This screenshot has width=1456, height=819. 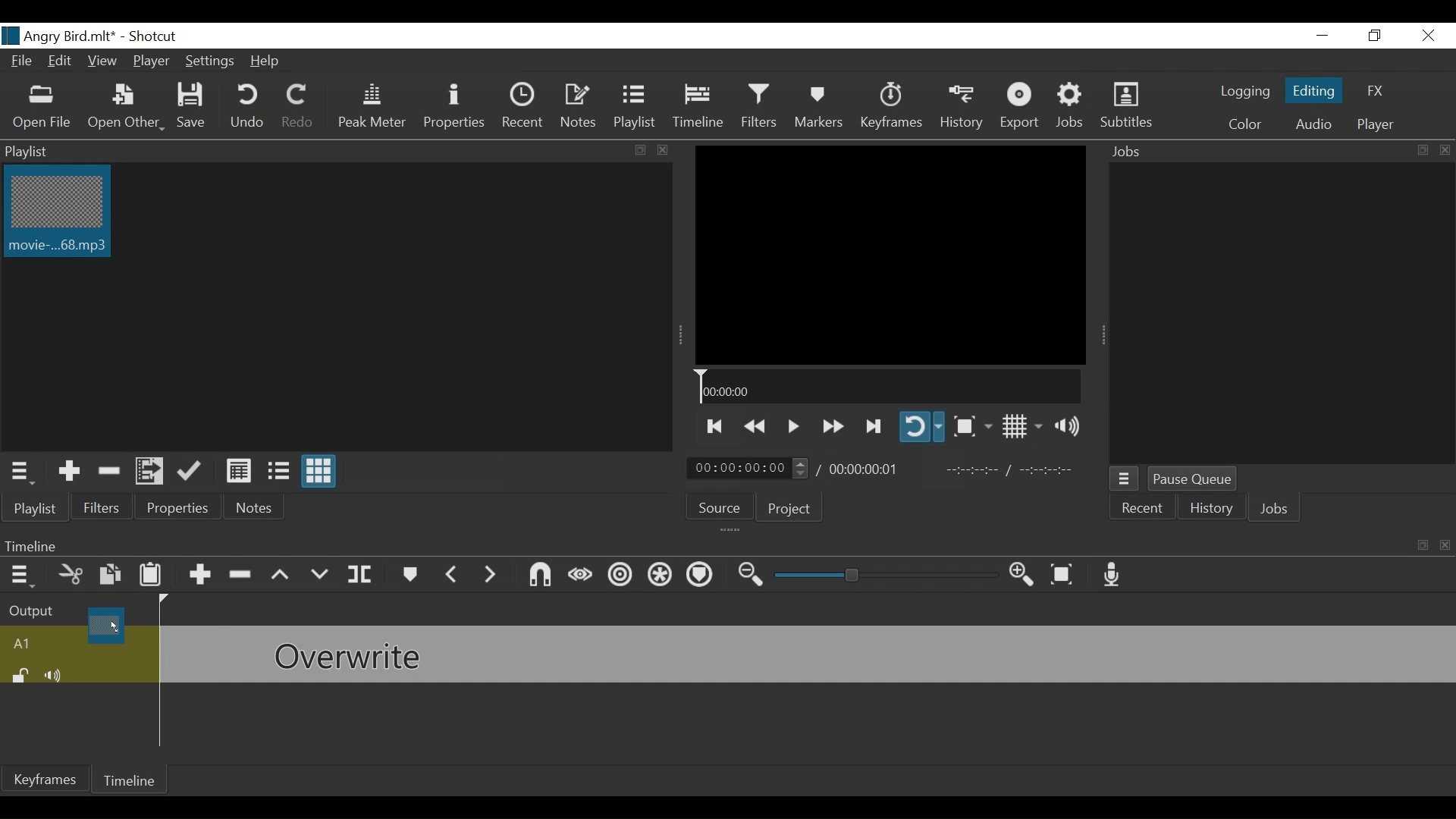 I want to click on Ripple , so click(x=618, y=576).